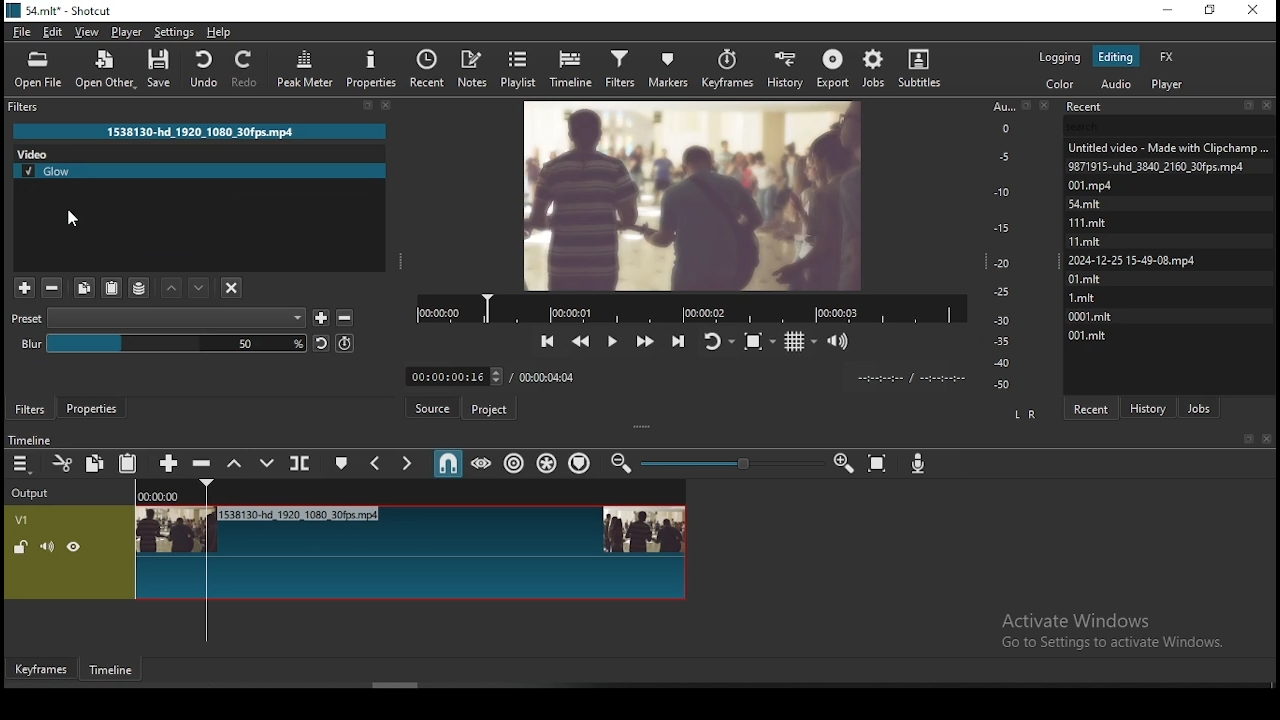  Describe the element at coordinates (23, 466) in the screenshot. I see `timeline menu` at that location.